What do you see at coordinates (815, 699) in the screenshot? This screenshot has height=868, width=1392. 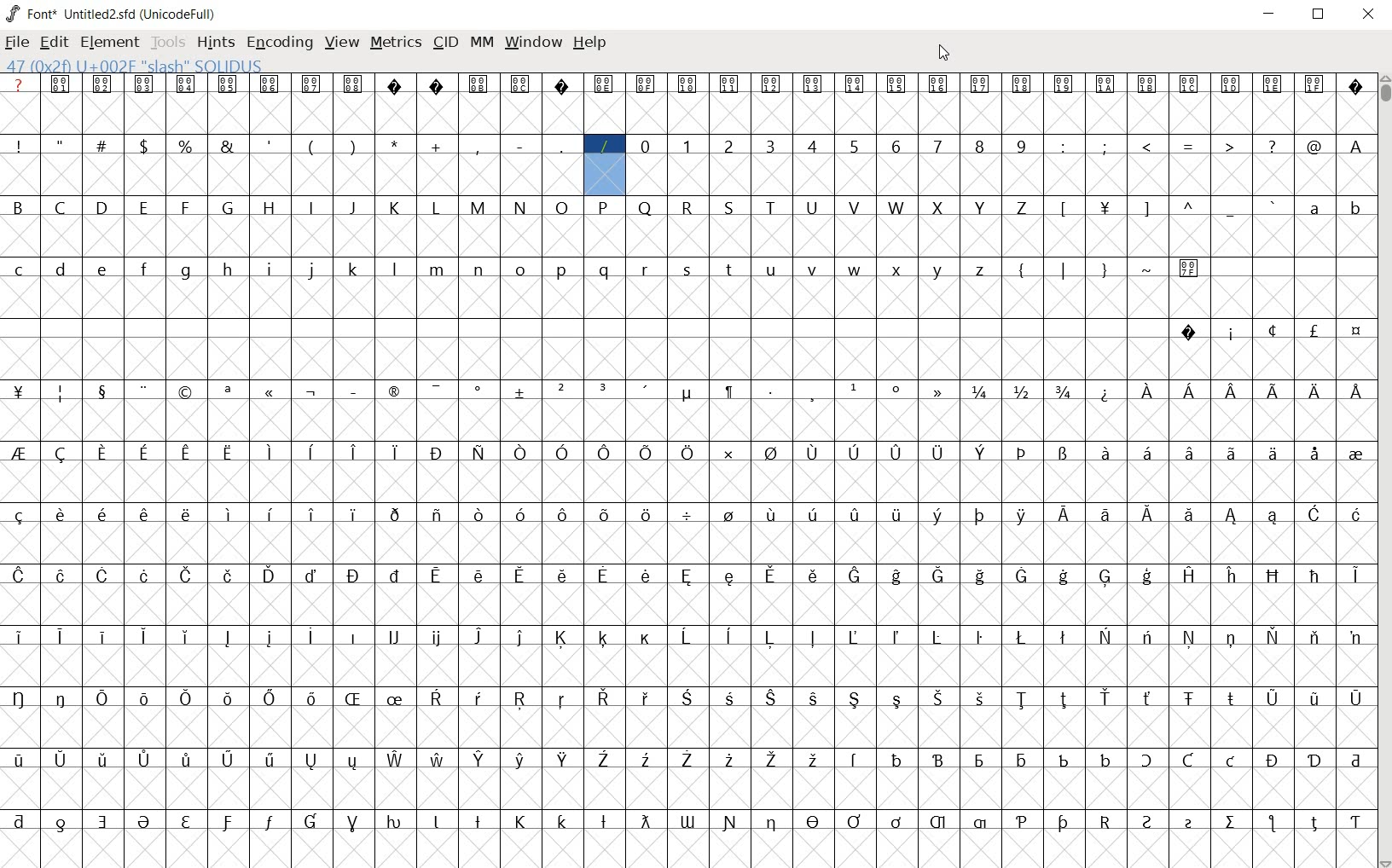 I see `glyph` at bounding box center [815, 699].